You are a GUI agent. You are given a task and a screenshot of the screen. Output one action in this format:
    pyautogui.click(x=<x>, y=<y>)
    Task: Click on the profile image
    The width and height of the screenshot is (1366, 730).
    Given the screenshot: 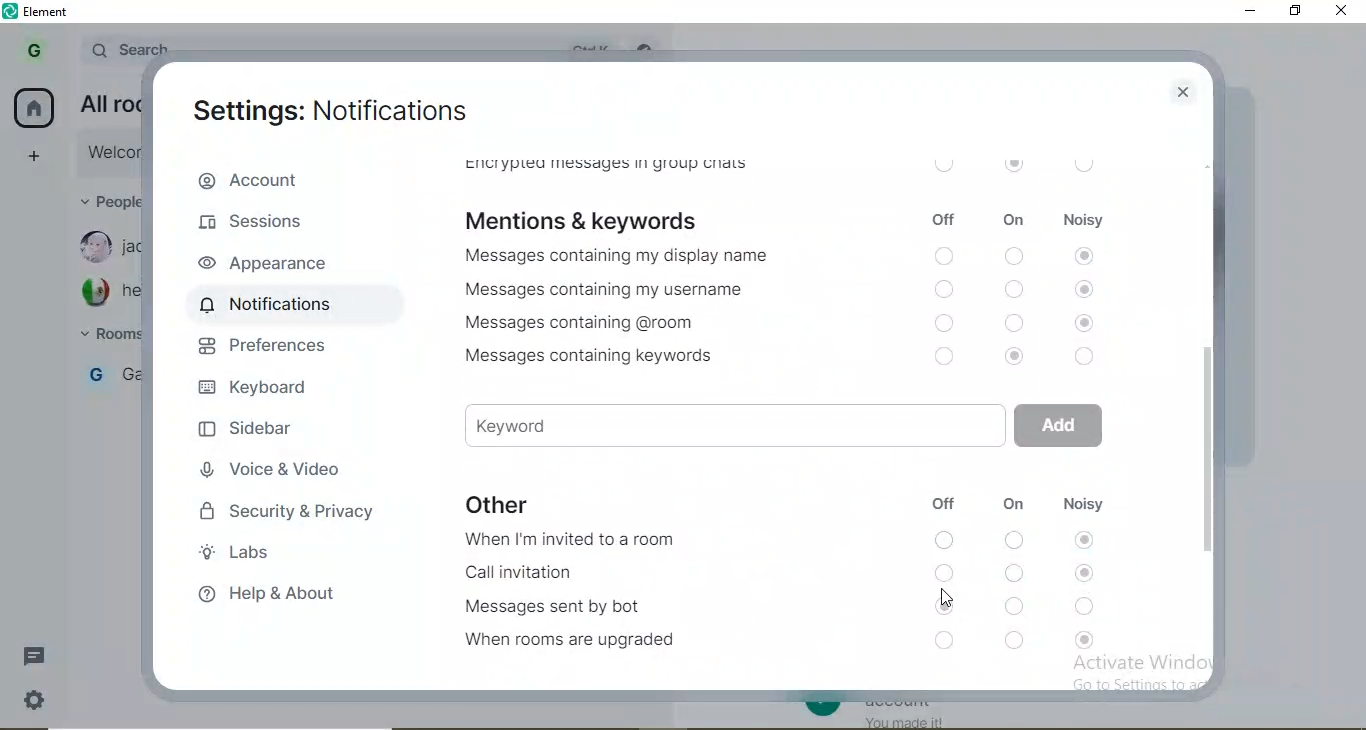 What is the action you would take?
    pyautogui.click(x=94, y=293)
    